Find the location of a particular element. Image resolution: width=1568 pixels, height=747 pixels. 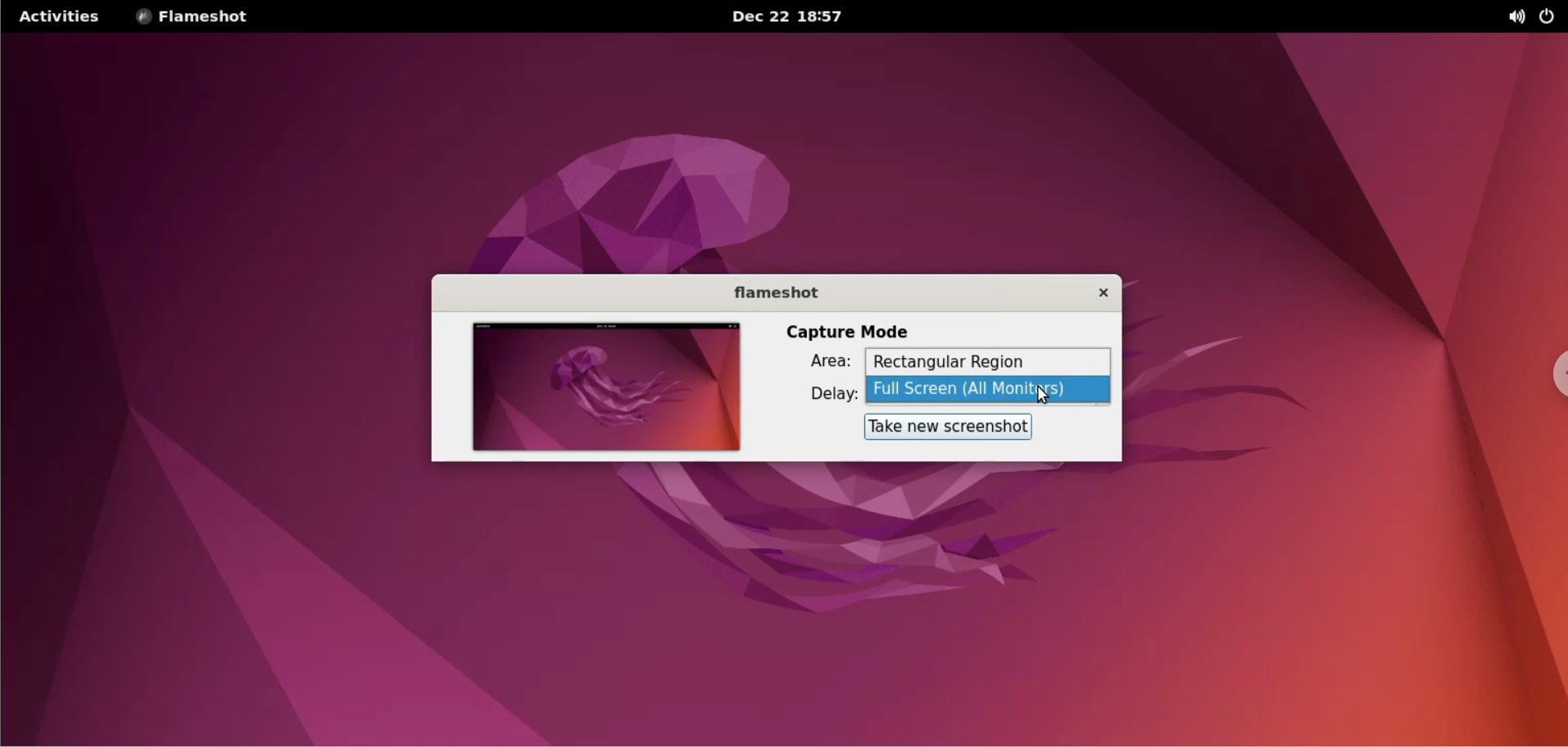

sound options is located at coordinates (1519, 16).